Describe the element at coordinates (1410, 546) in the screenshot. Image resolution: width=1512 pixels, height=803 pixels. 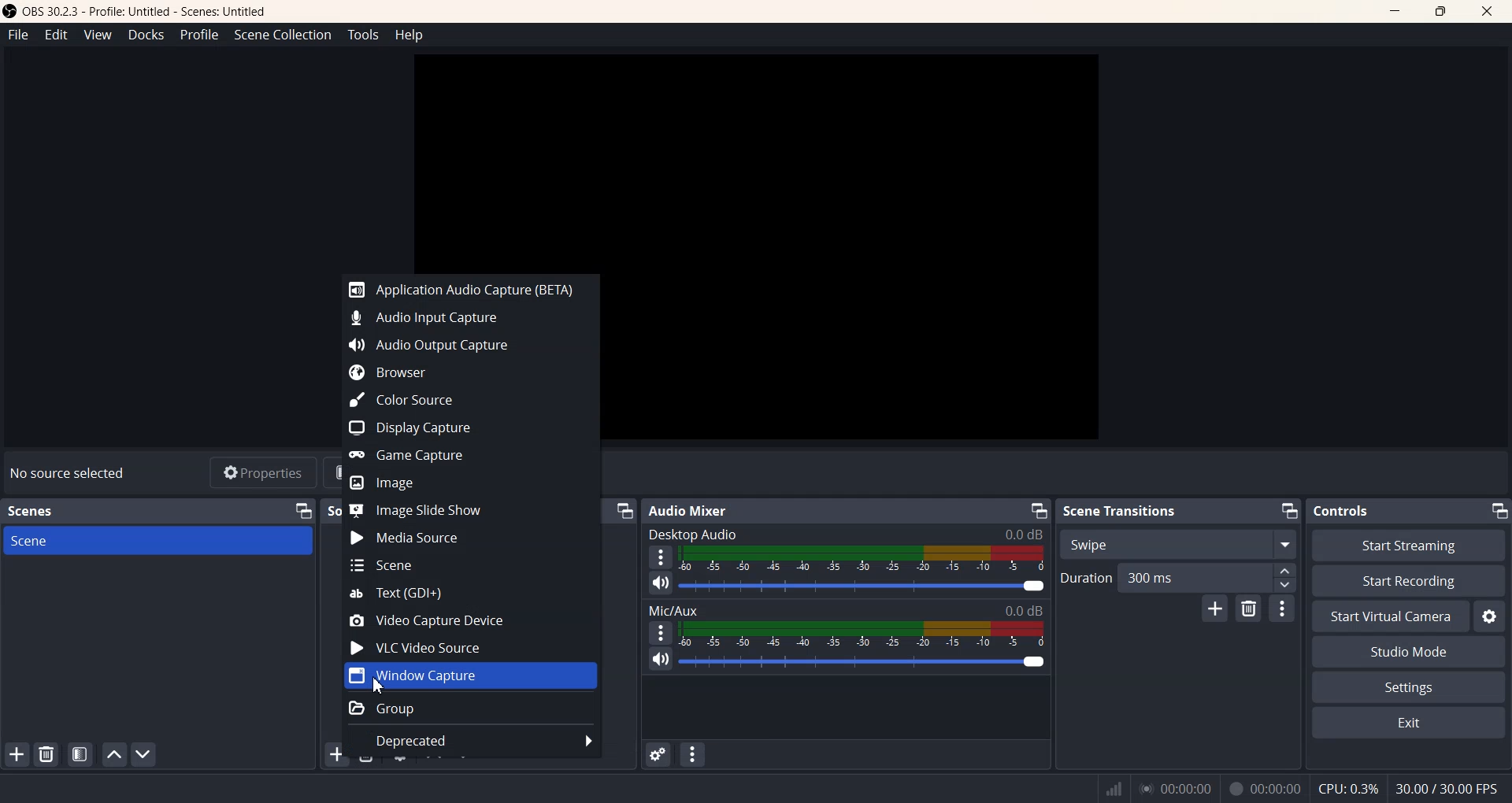
I see `Start Streaming` at that location.